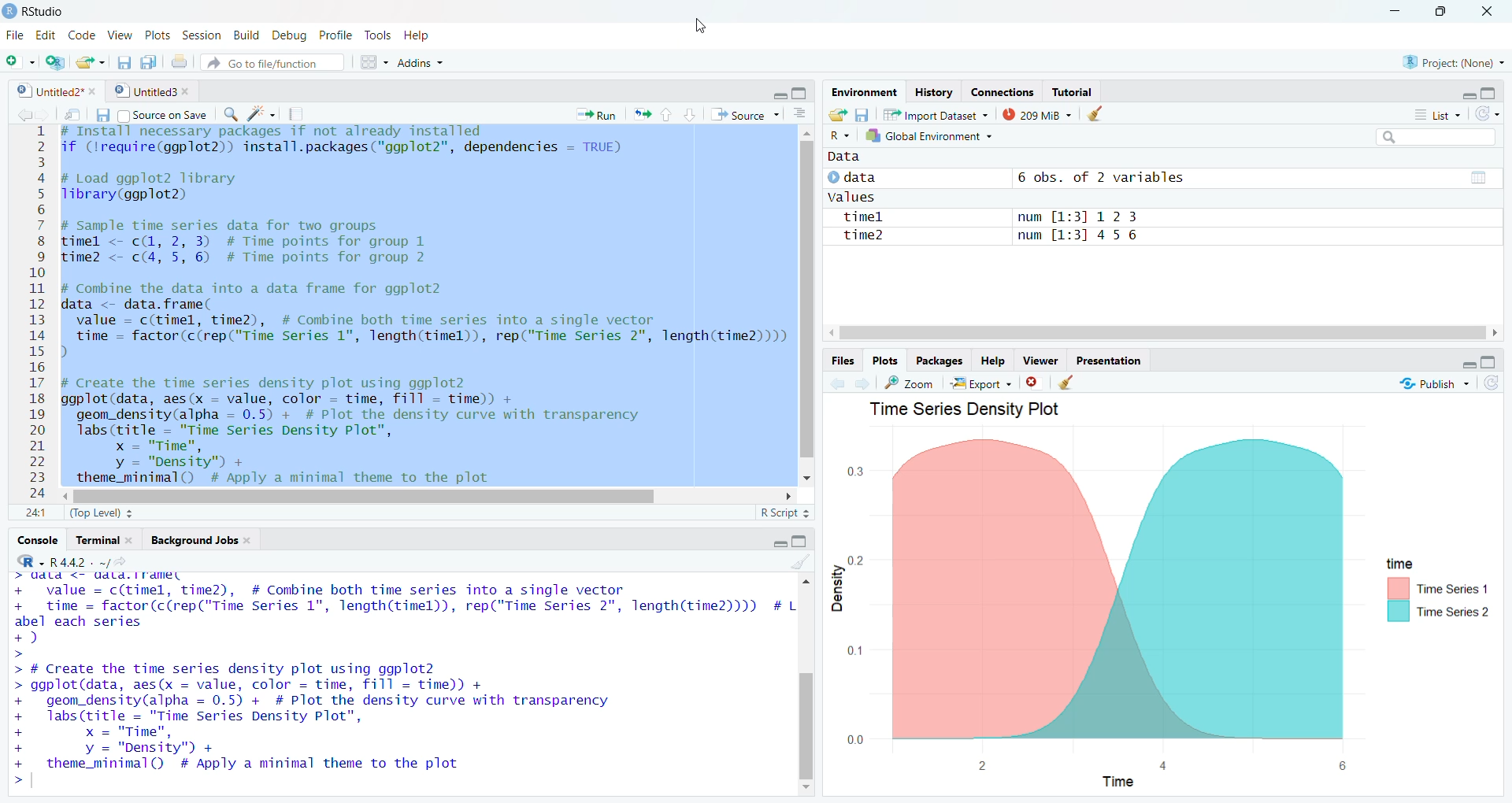  What do you see at coordinates (261, 113) in the screenshot?
I see `Code Tools` at bounding box center [261, 113].